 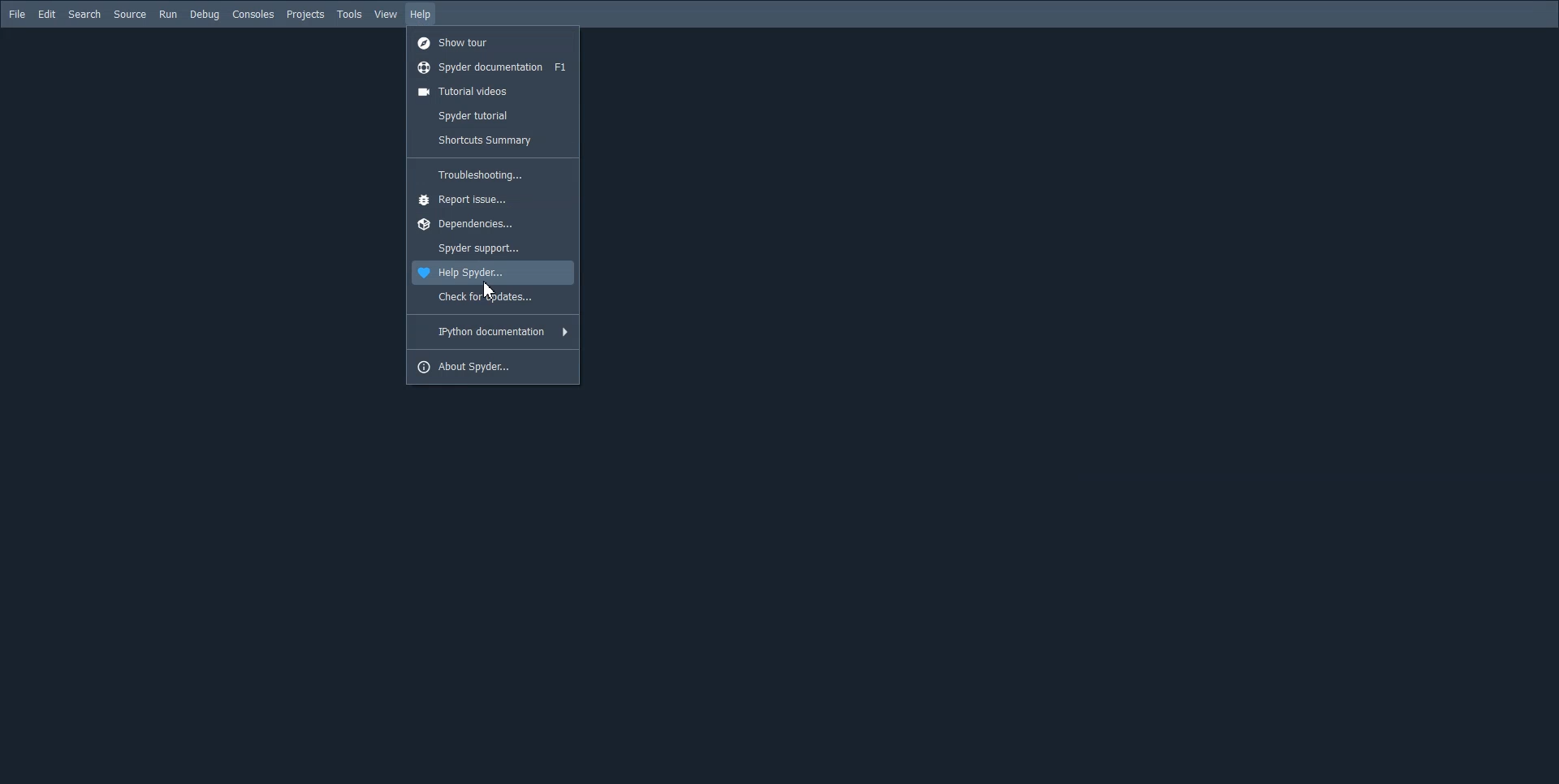 I want to click on Report issue, so click(x=492, y=198).